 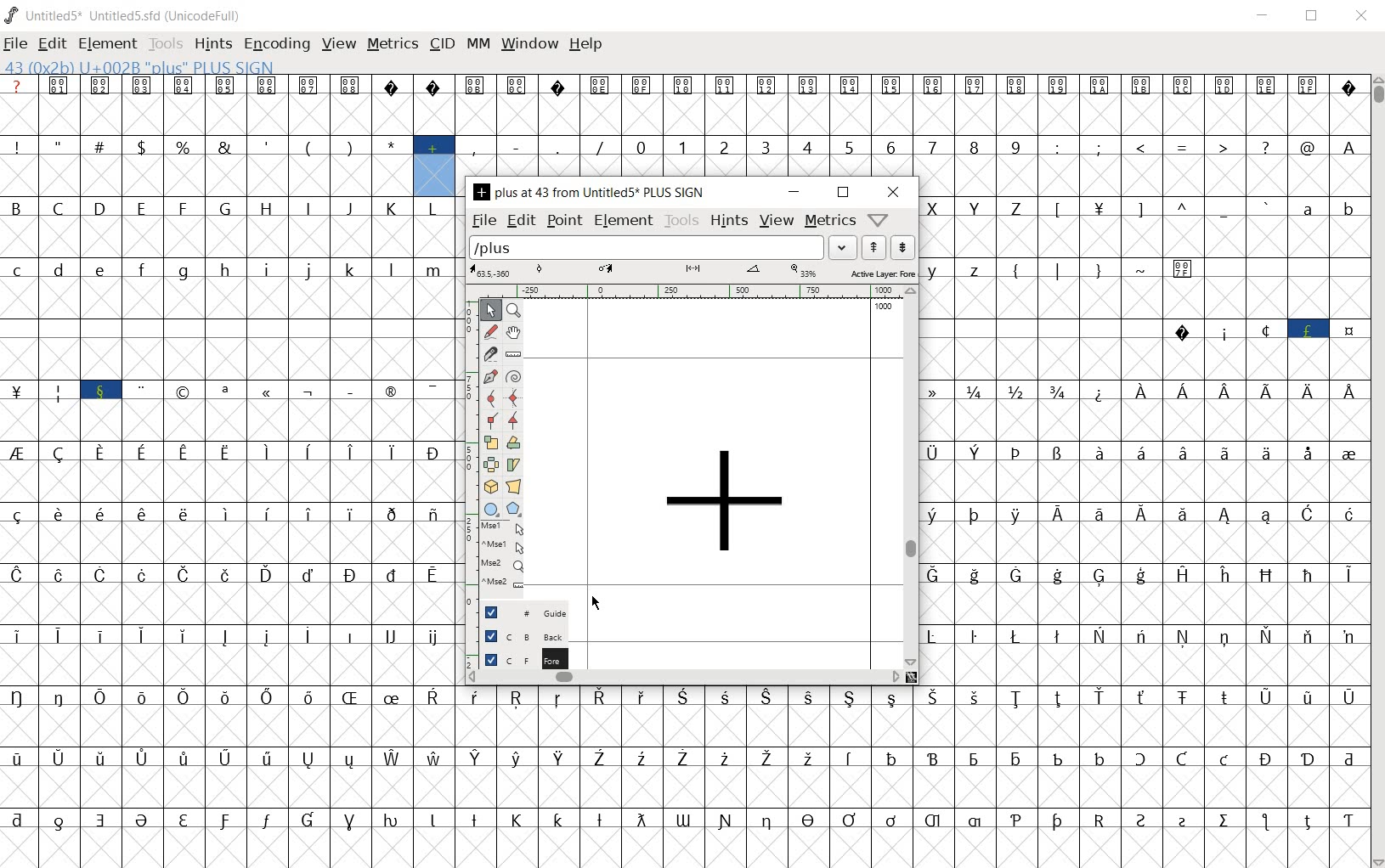 I want to click on slot, so click(x=229, y=350).